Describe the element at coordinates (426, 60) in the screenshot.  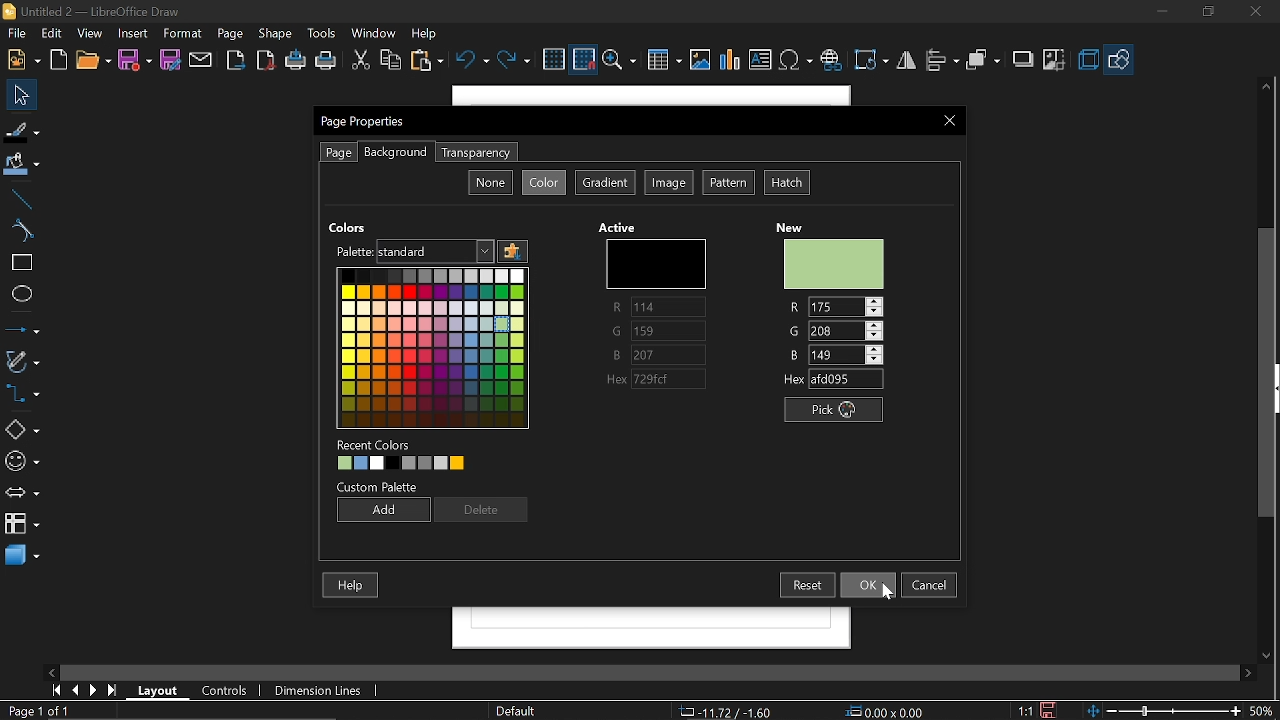
I see `Paste` at that location.